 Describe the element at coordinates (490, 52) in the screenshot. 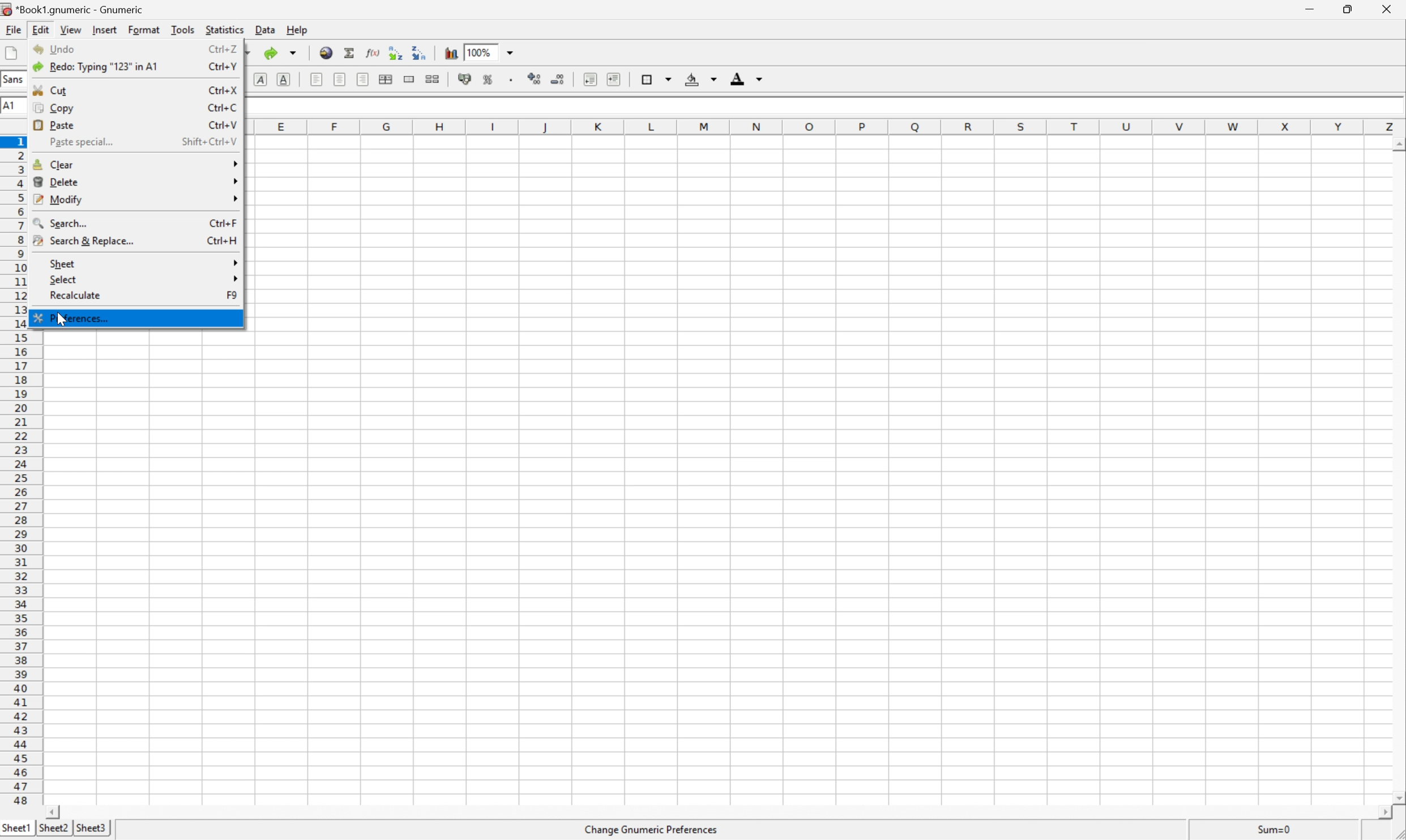

I see `100%` at that location.